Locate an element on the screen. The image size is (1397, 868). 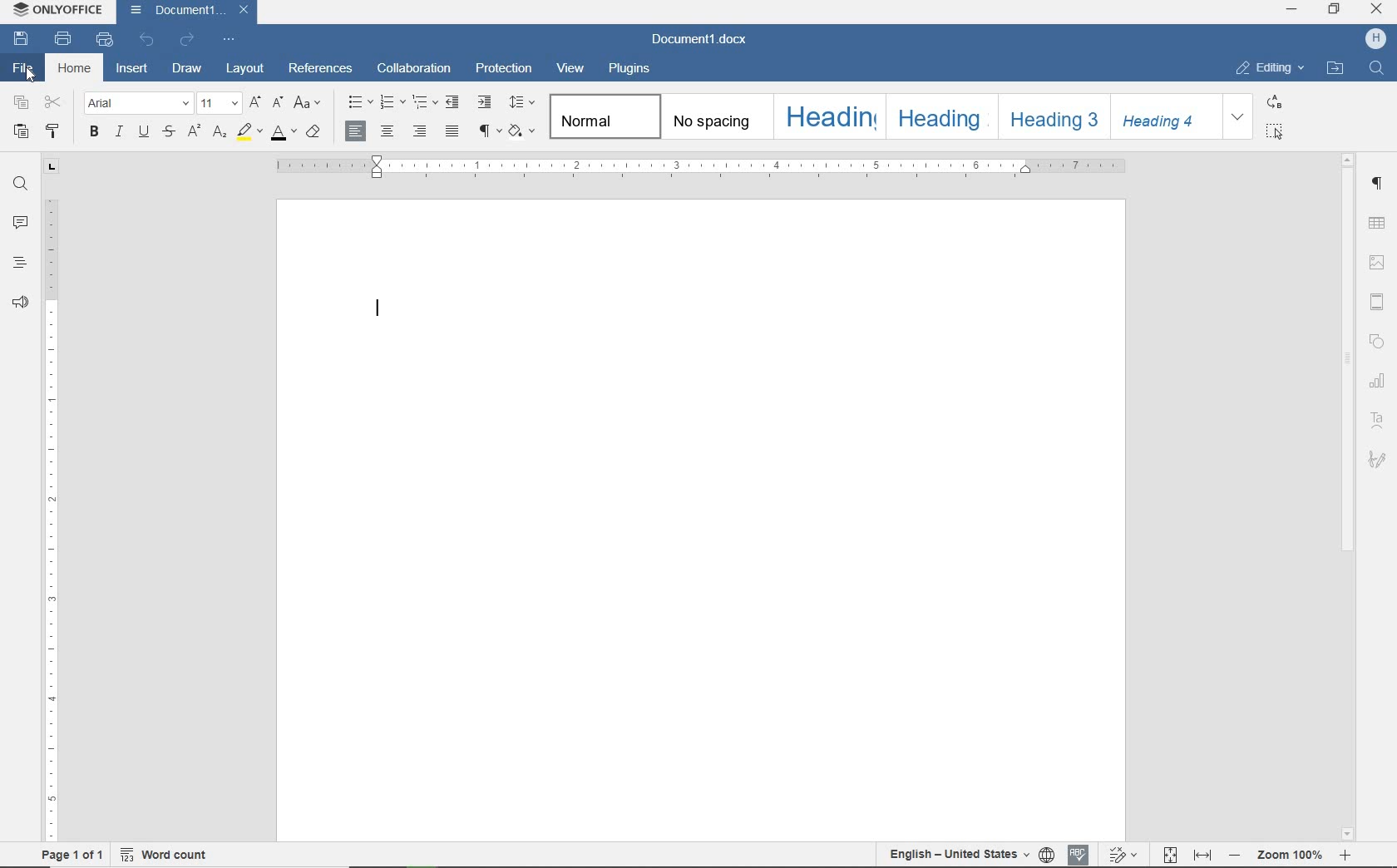
align right is located at coordinates (421, 131).